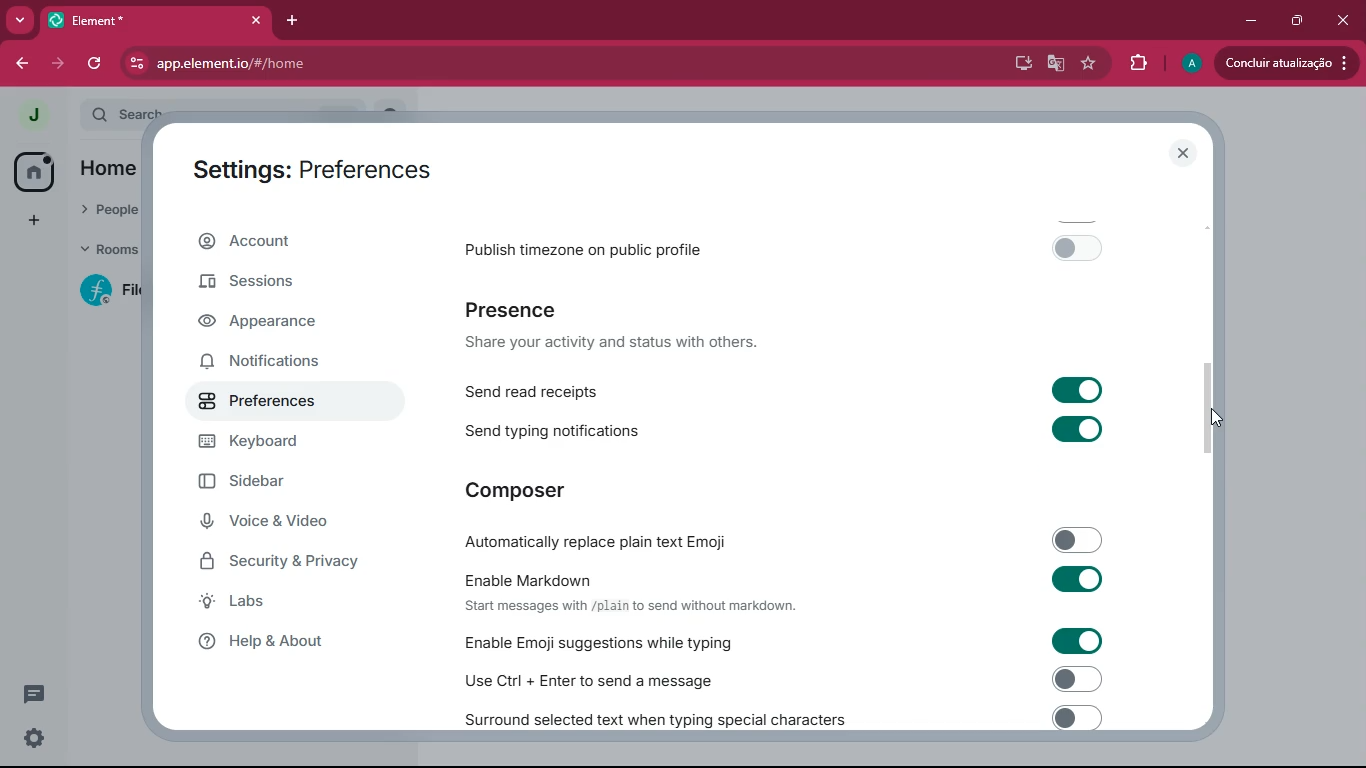 The image size is (1366, 768). I want to click on publish timezone, so click(792, 247).